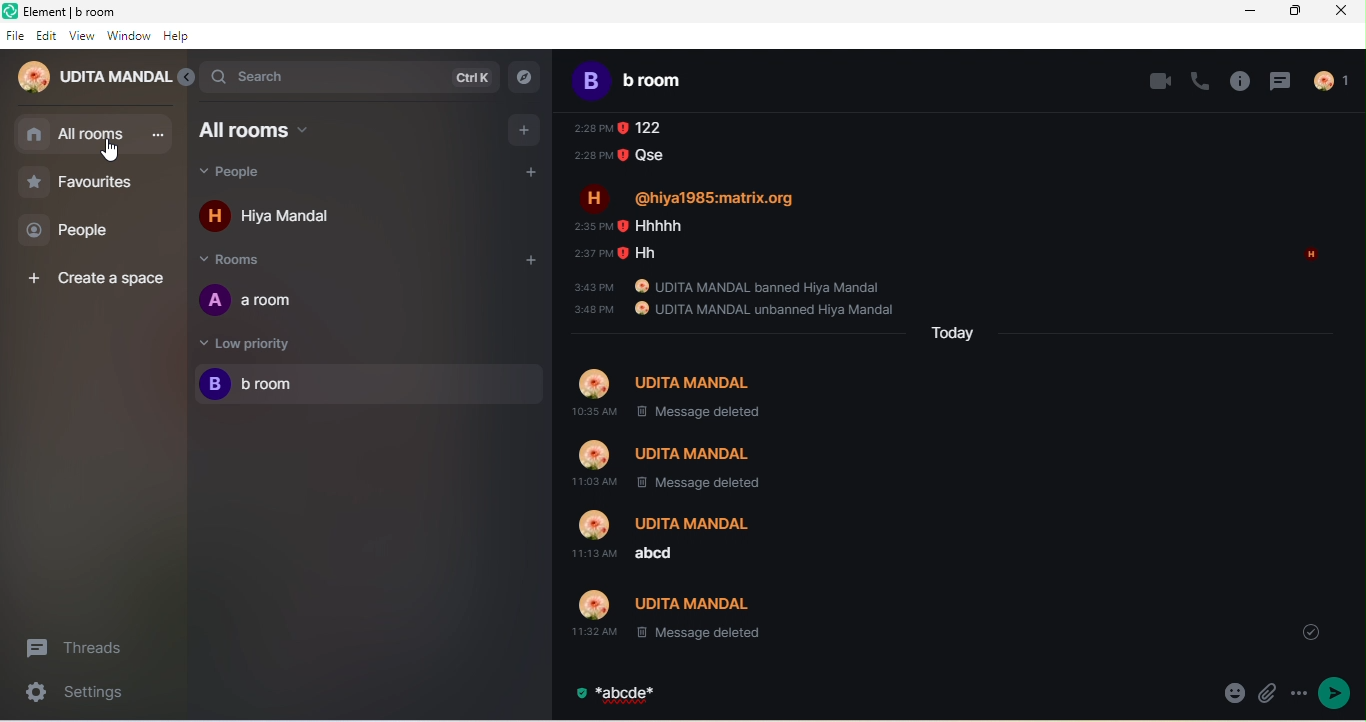  What do you see at coordinates (1232, 694) in the screenshot?
I see `emoji` at bounding box center [1232, 694].